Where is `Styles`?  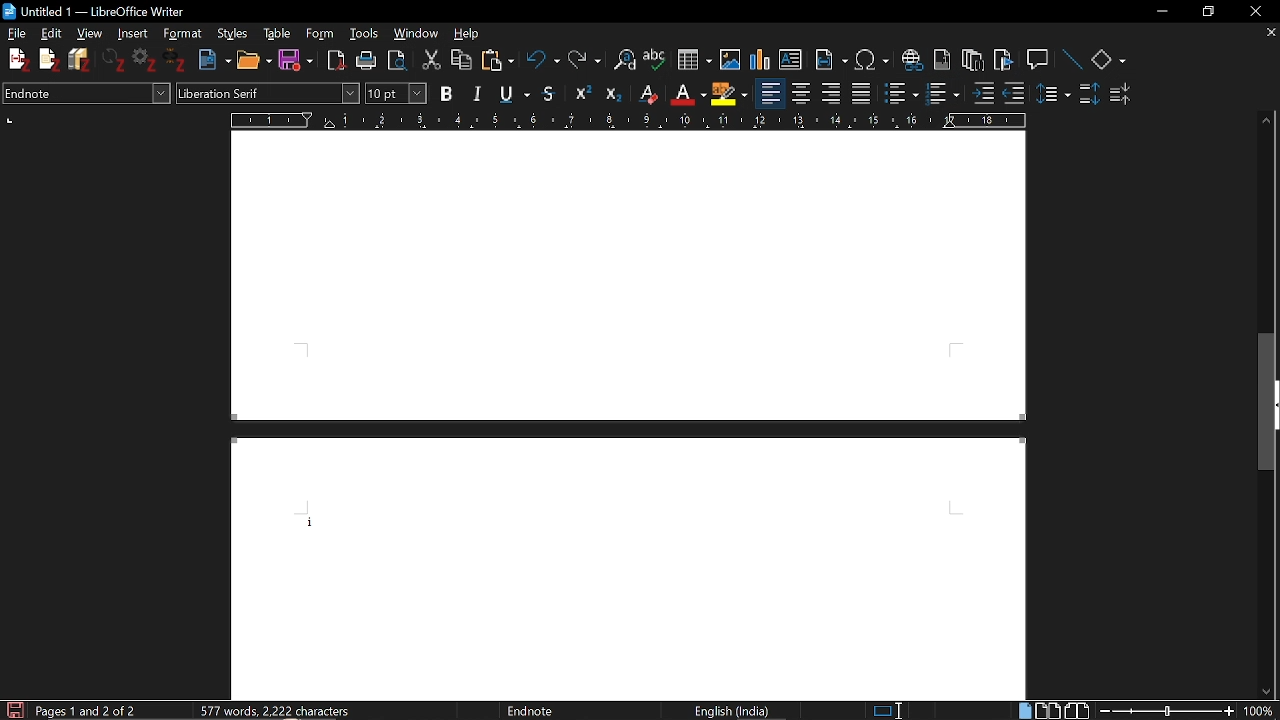 Styles is located at coordinates (233, 33).